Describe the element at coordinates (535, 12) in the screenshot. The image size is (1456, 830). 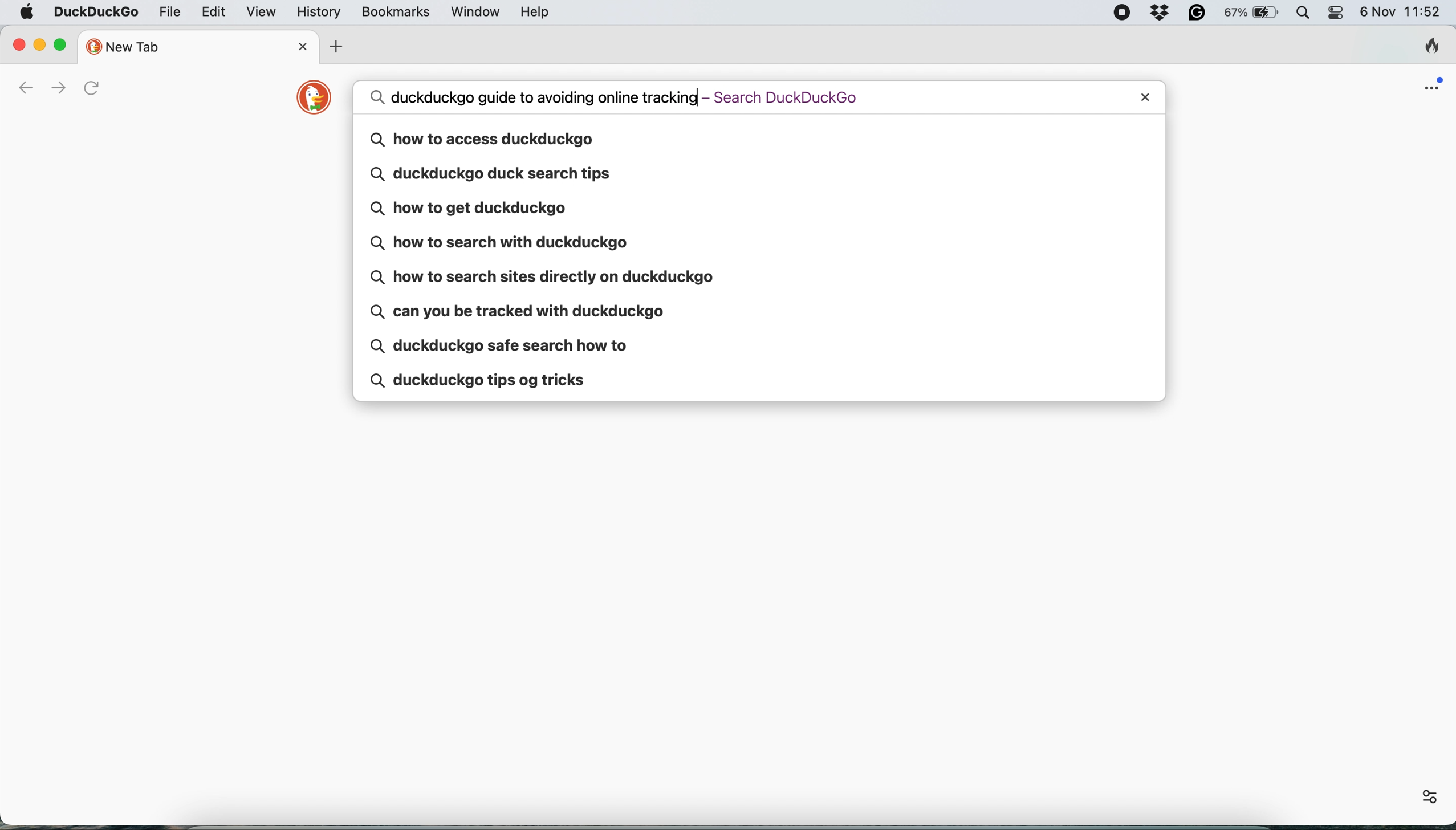
I see `help` at that location.